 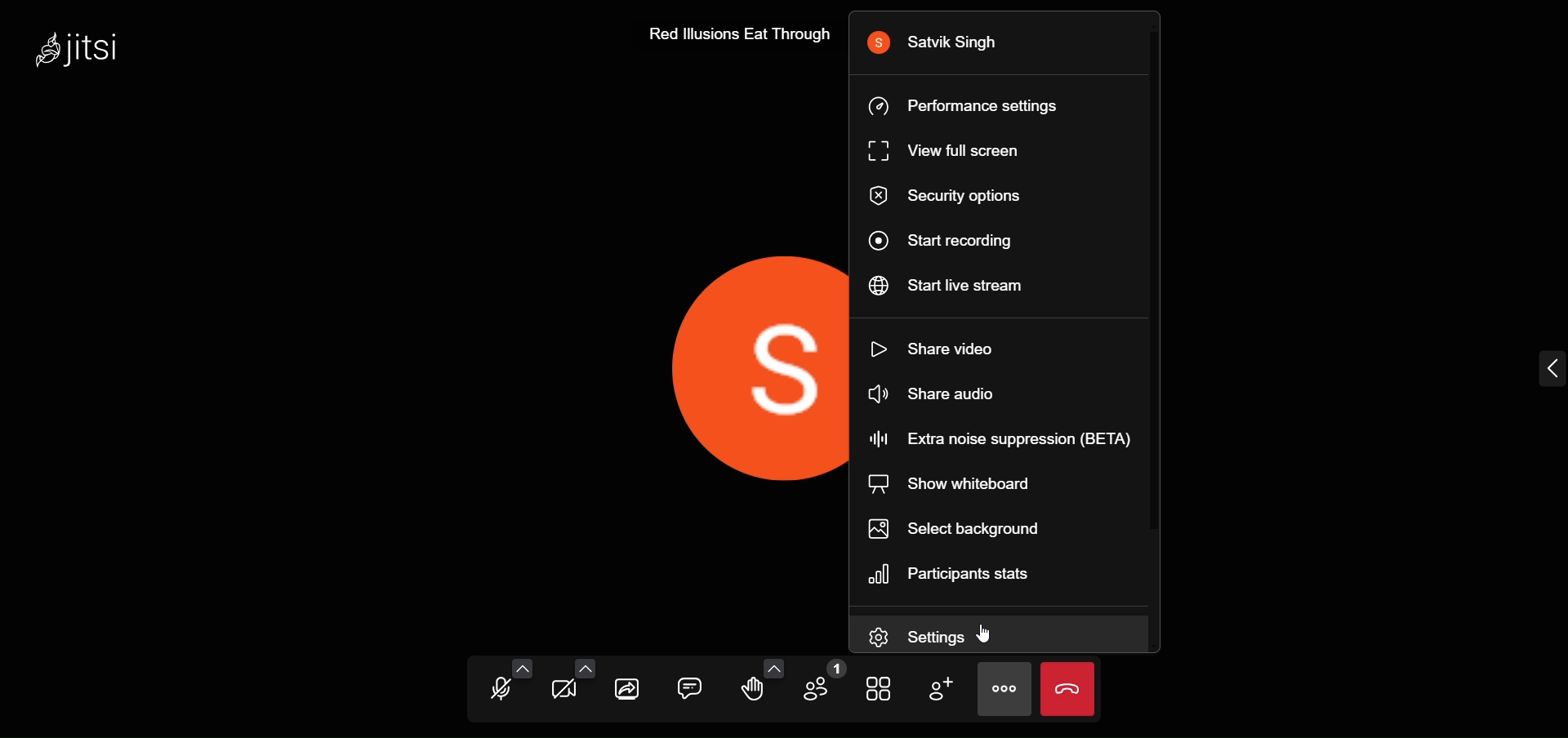 I want to click on leave meeting, so click(x=1067, y=690).